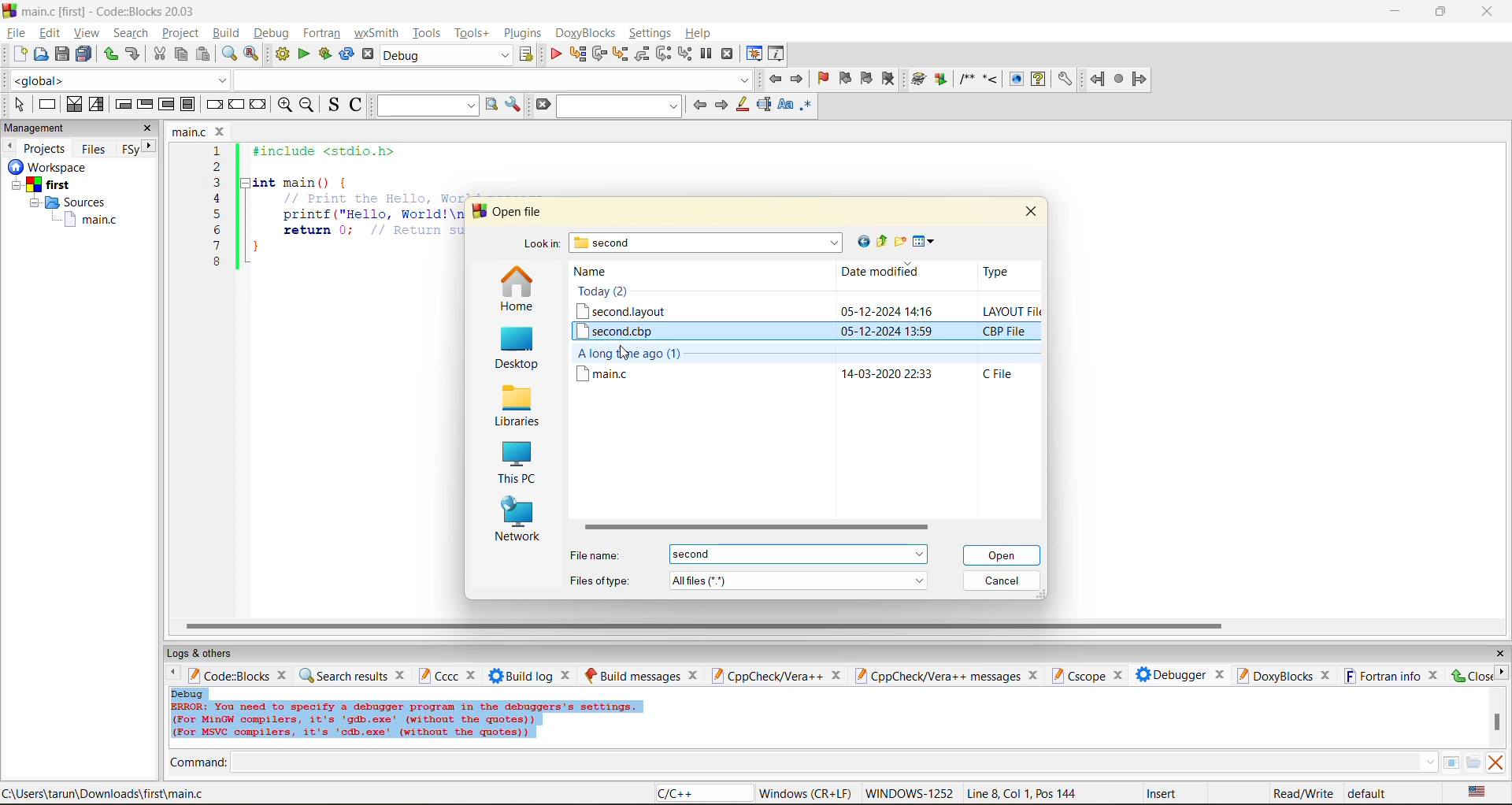 The image size is (1512, 805). I want to click on close, so click(1470, 675).